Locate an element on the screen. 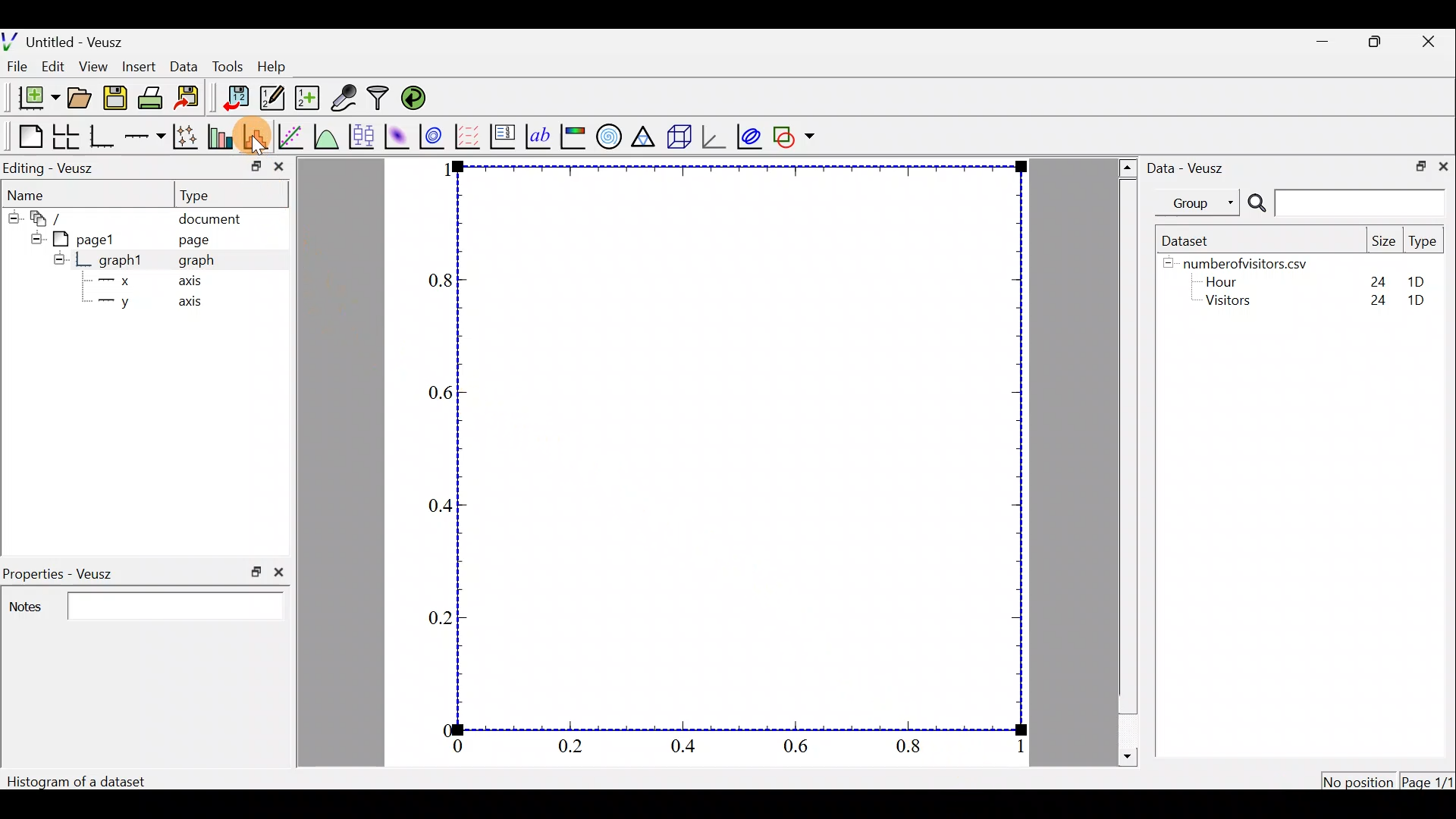  Properties - Veusz is located at coordinates (60, 570).